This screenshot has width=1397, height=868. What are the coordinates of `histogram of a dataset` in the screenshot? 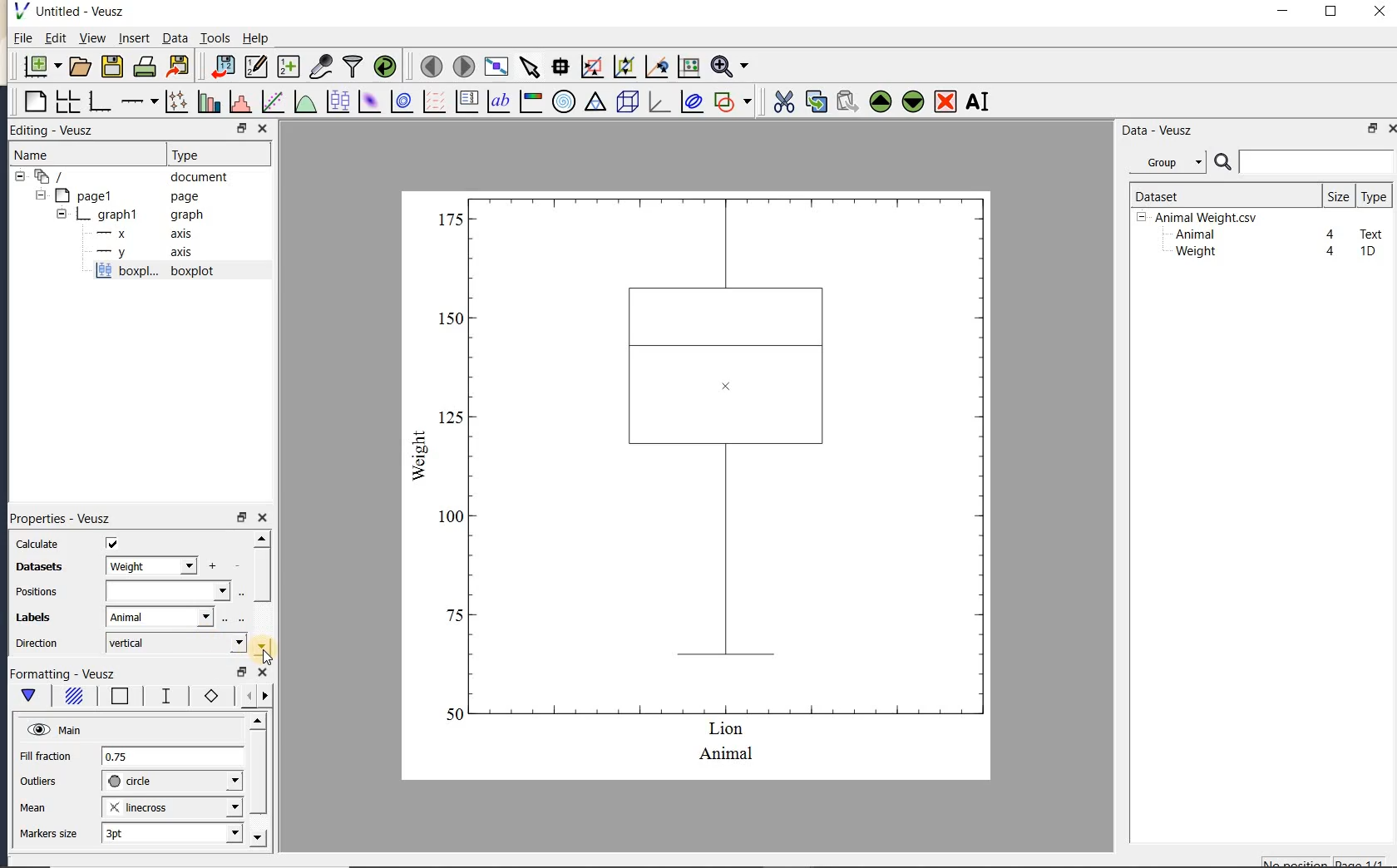 It's located at (239, 101).